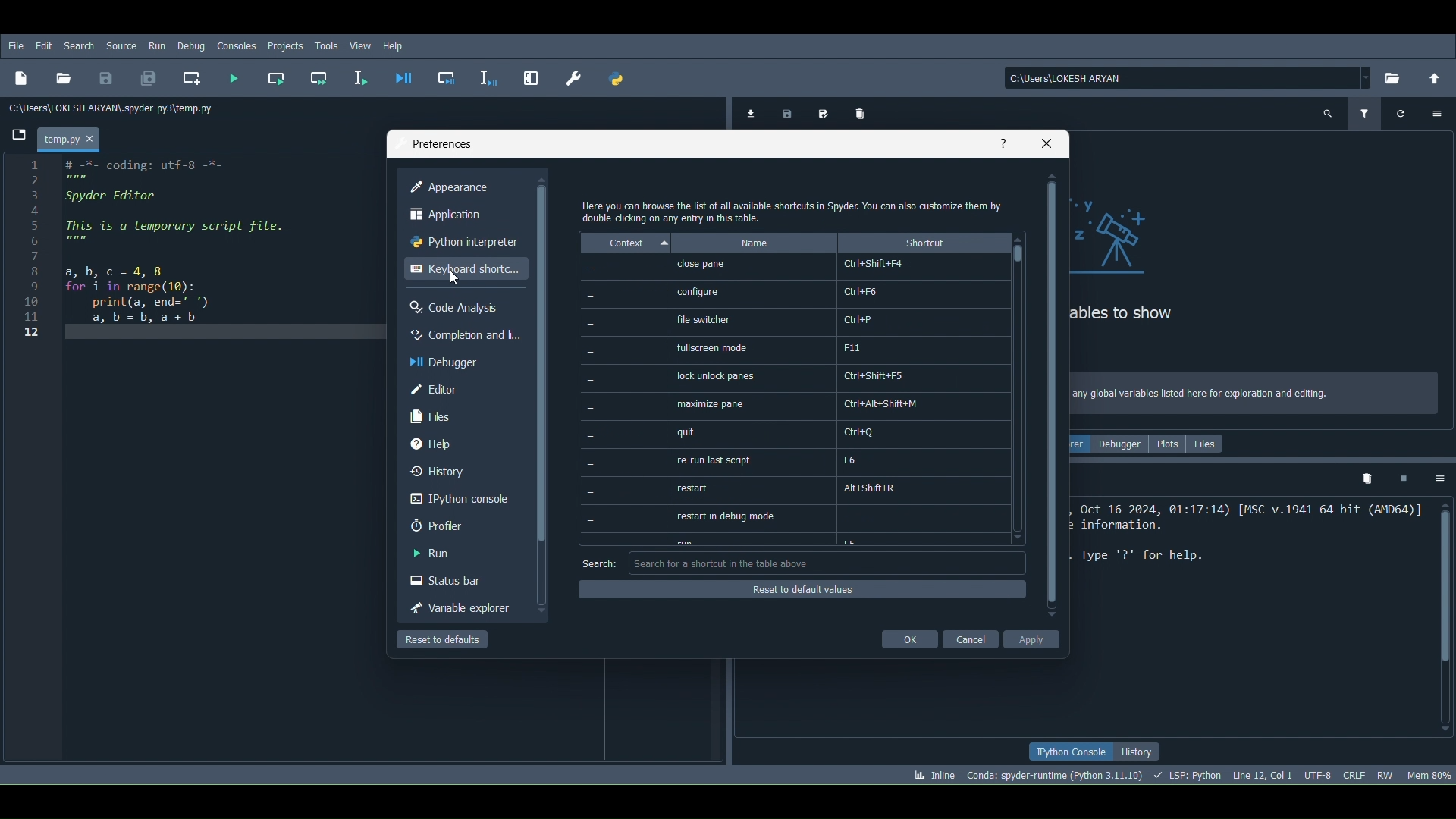  Describe the element at coordinates (1329, 114) in the screenshot. I see `Search variable names and types (Ctrl + F)` at that location.